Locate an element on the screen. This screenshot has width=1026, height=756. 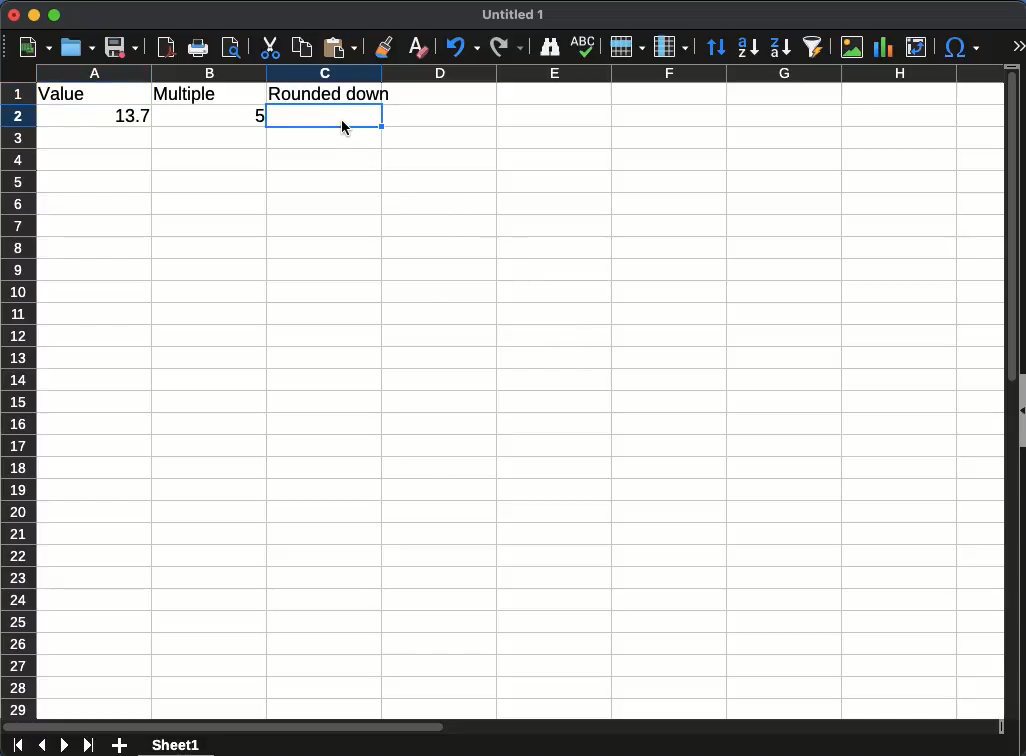
pdf reader is located at coordinates (166, 47).